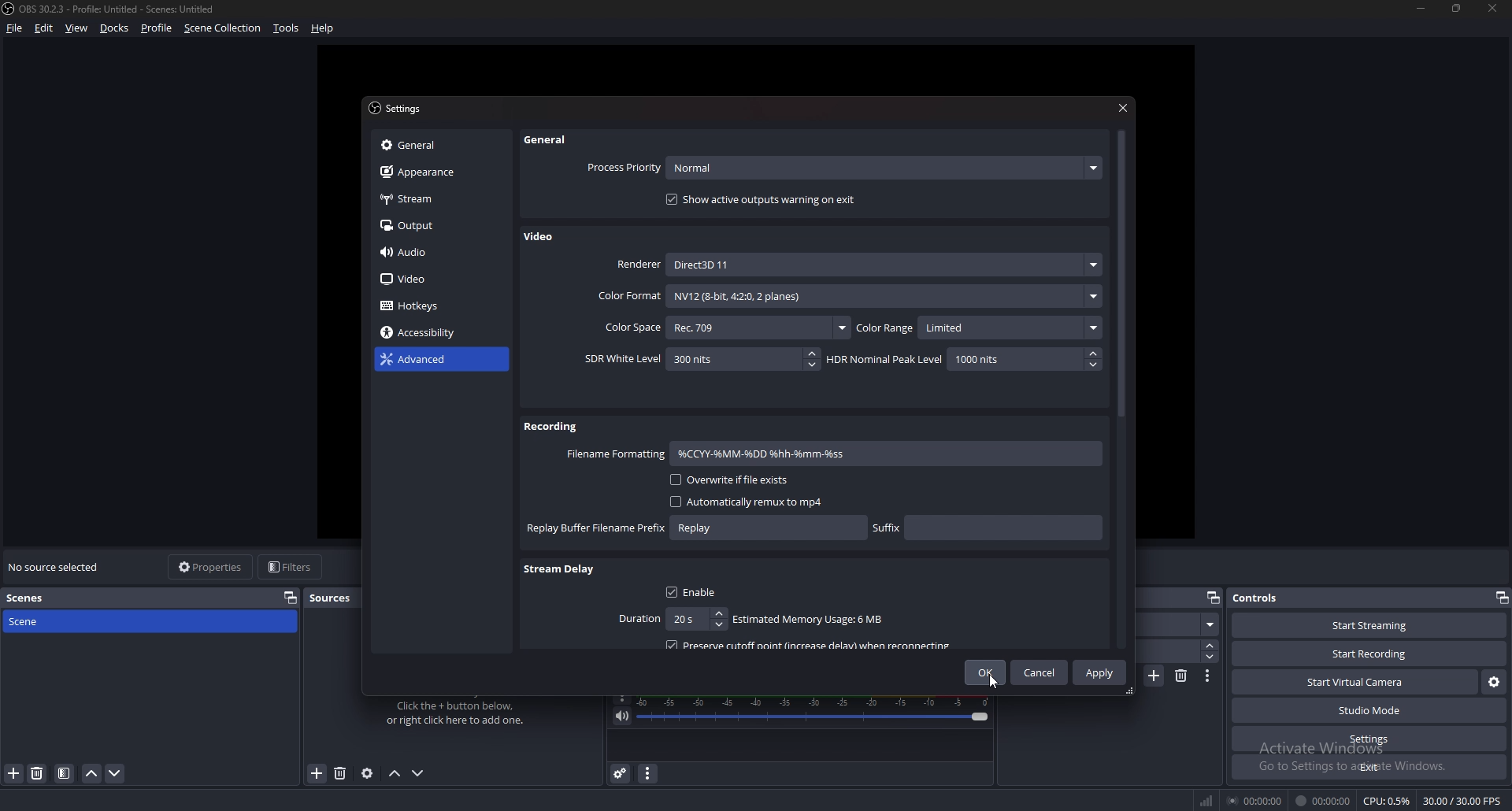 The image size is (1512, 811). Describe the element at coordinates (1155, 675) in the screenshot. I see `add scene` at that location.